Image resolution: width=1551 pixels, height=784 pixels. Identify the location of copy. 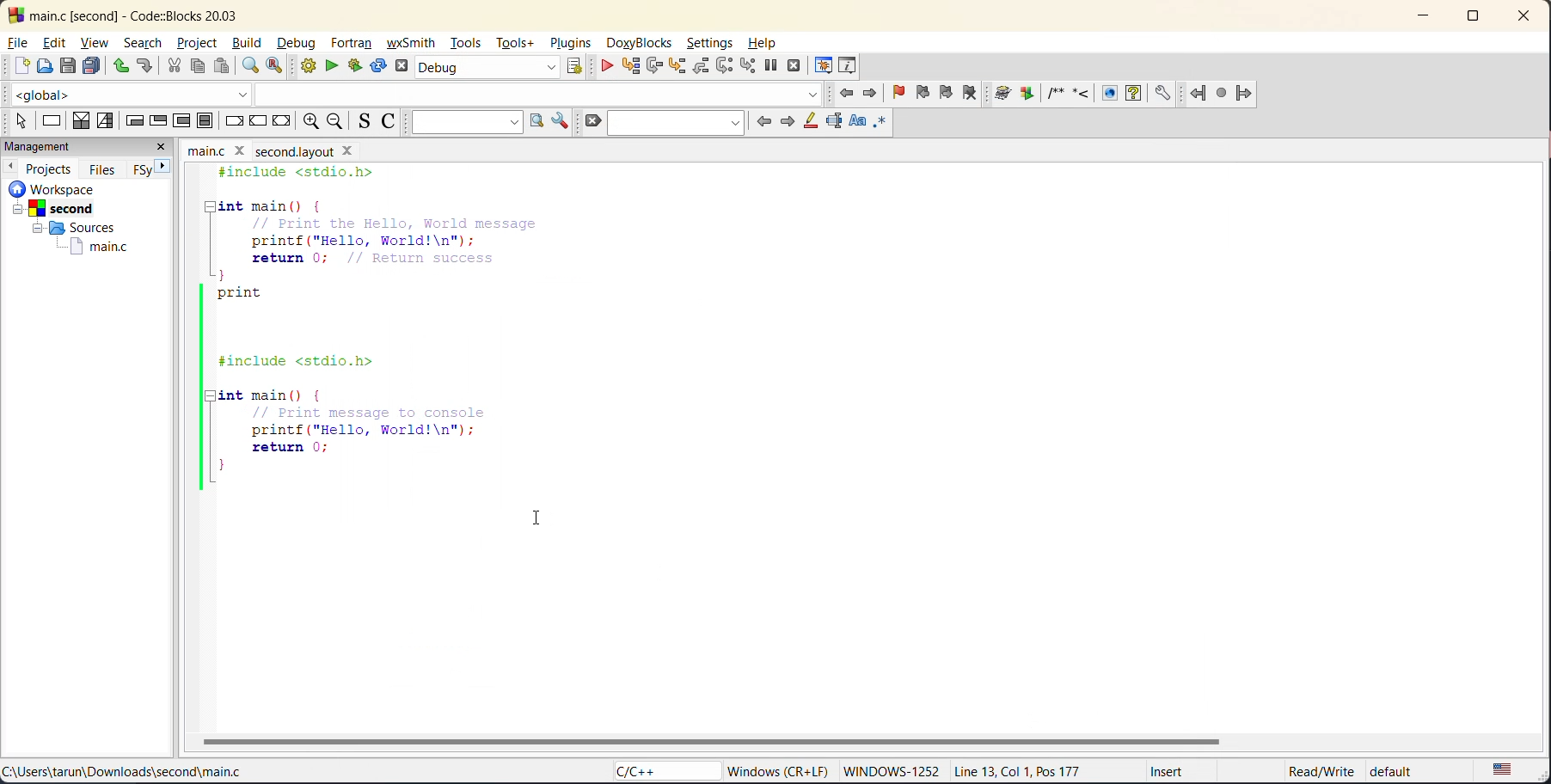
(199, 67).